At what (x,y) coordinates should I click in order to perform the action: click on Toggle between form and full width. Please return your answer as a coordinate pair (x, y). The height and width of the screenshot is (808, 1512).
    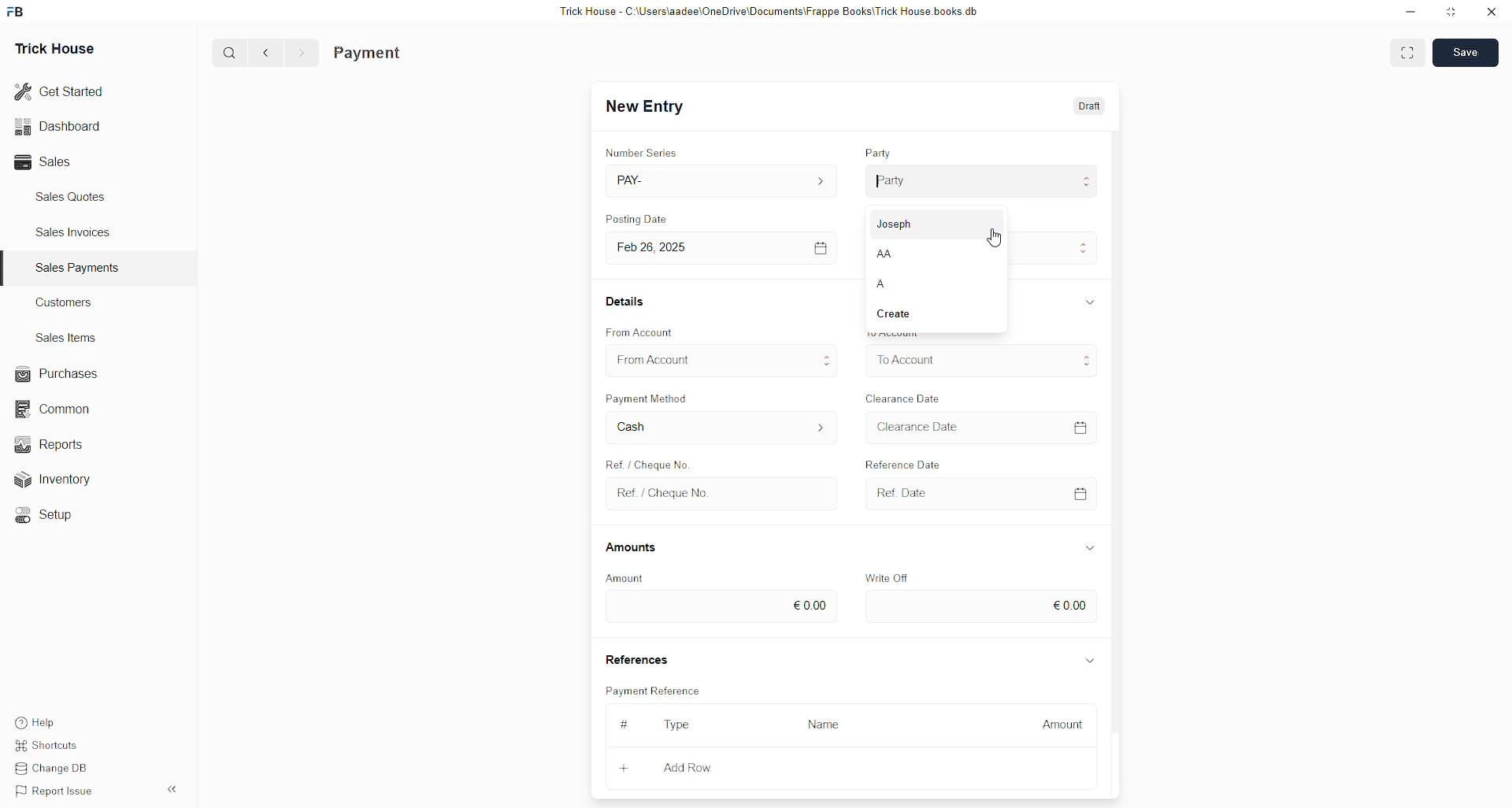
    Looking at the image, I should click on (1407, 55).